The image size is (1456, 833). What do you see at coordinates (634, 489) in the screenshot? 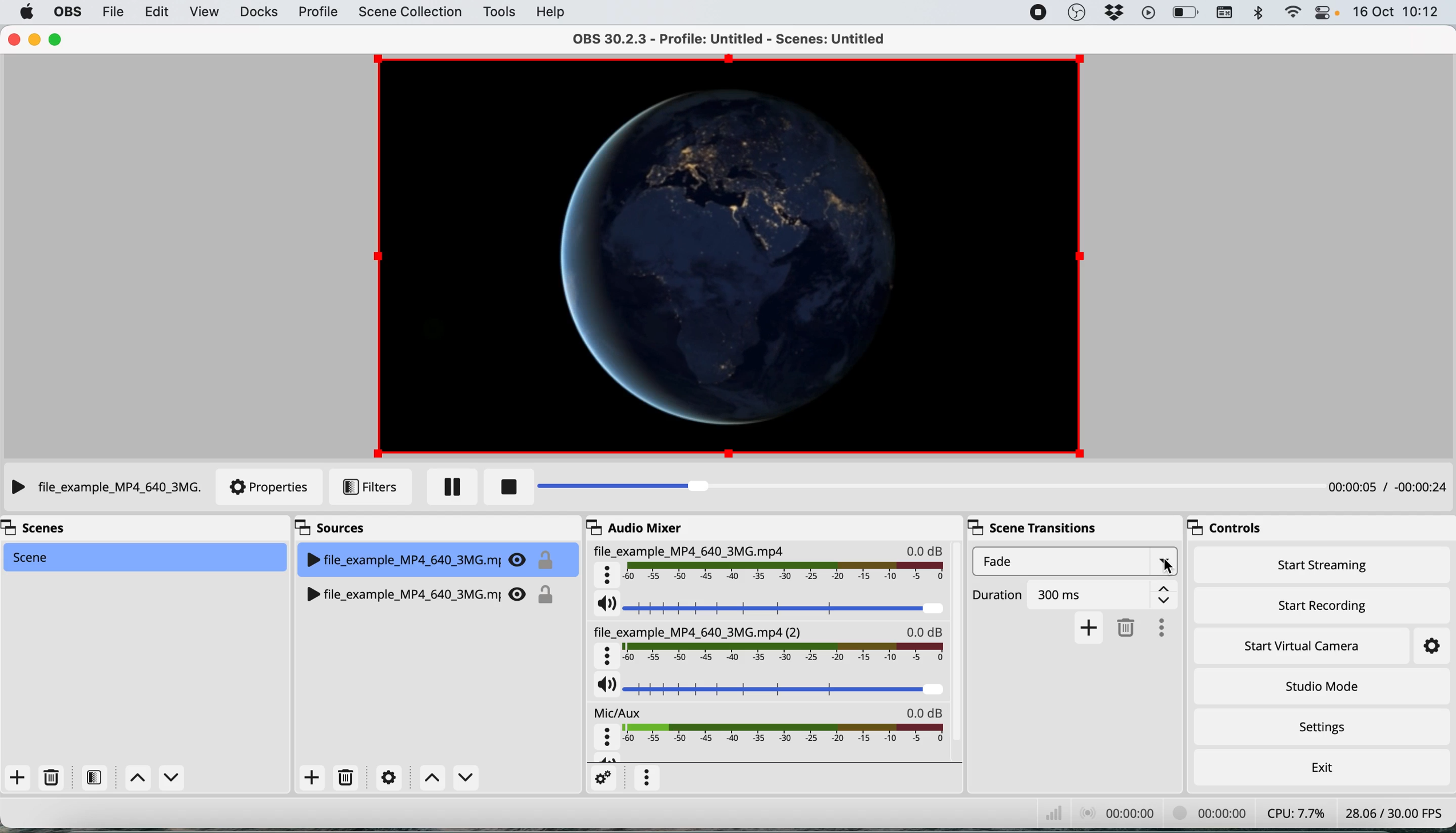
I see `playback bar` at bounding box center [634, 489].